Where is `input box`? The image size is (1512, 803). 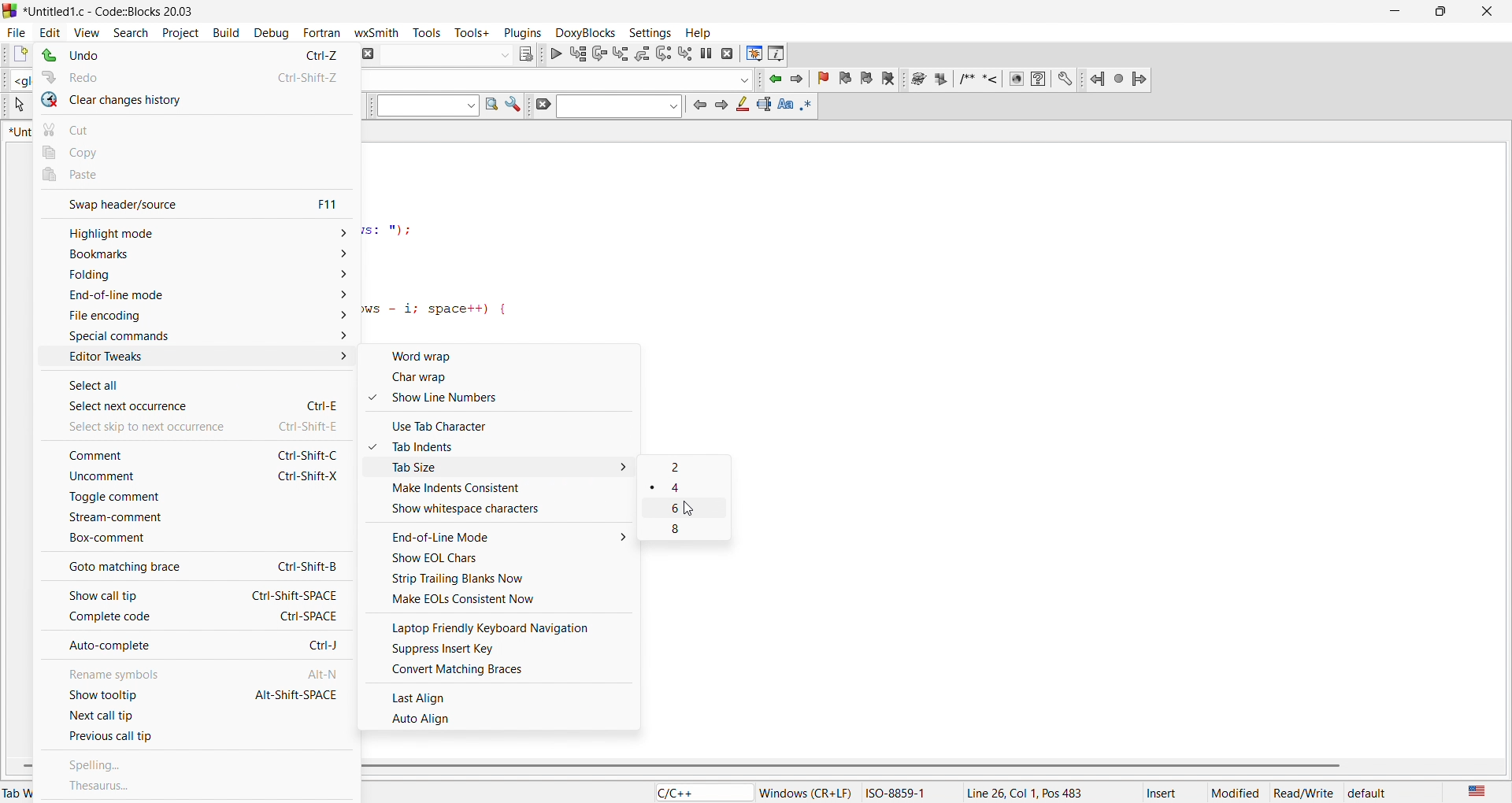 input box is located at coordinates (557, 76).